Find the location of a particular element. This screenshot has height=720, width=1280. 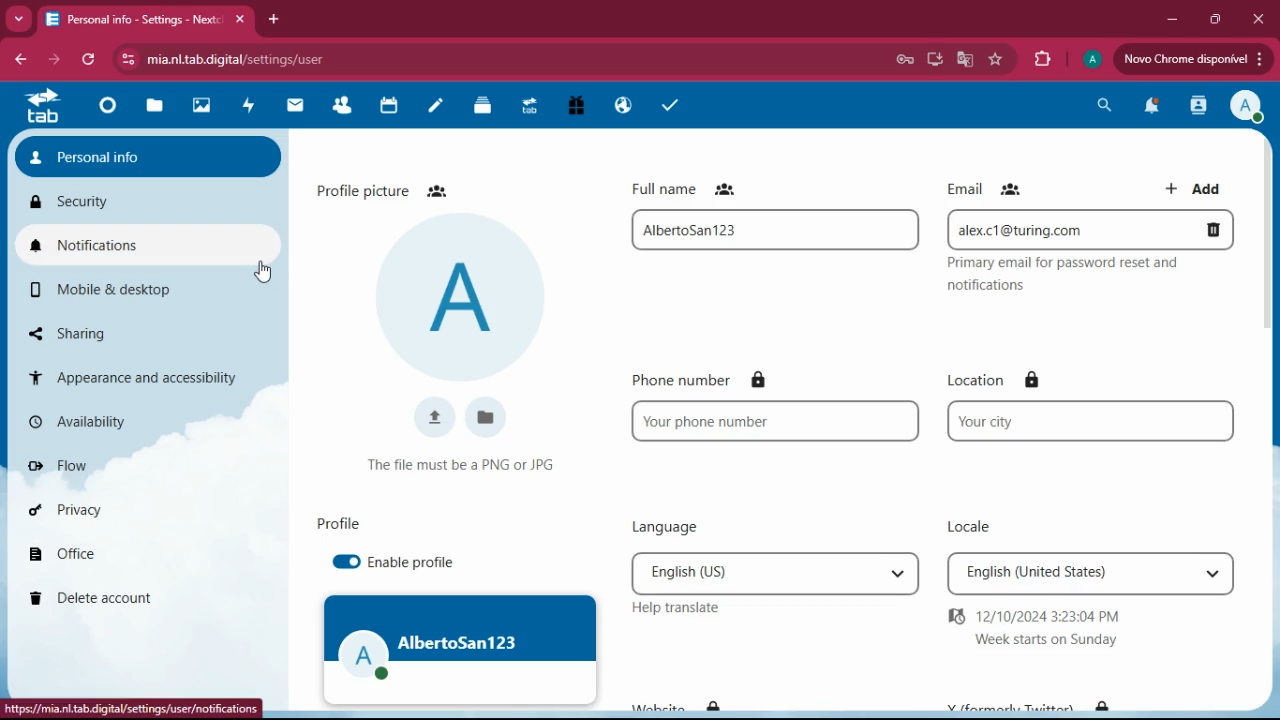

profile picture is located at coordinates (390, 189).